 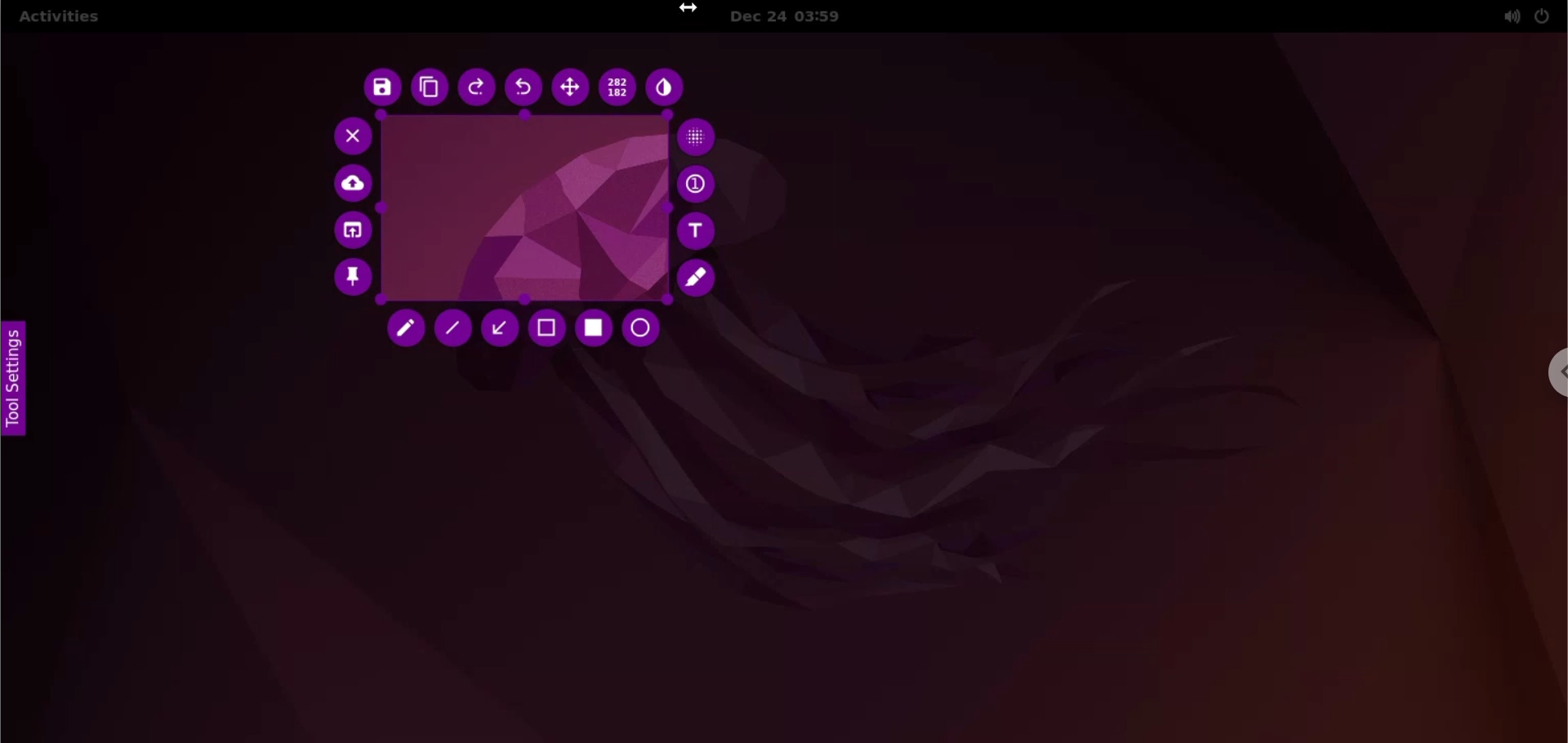 What do you see at coordinates (702, 183) in the screenshot?
I see `auto increment` at bounding box center [702, 183].